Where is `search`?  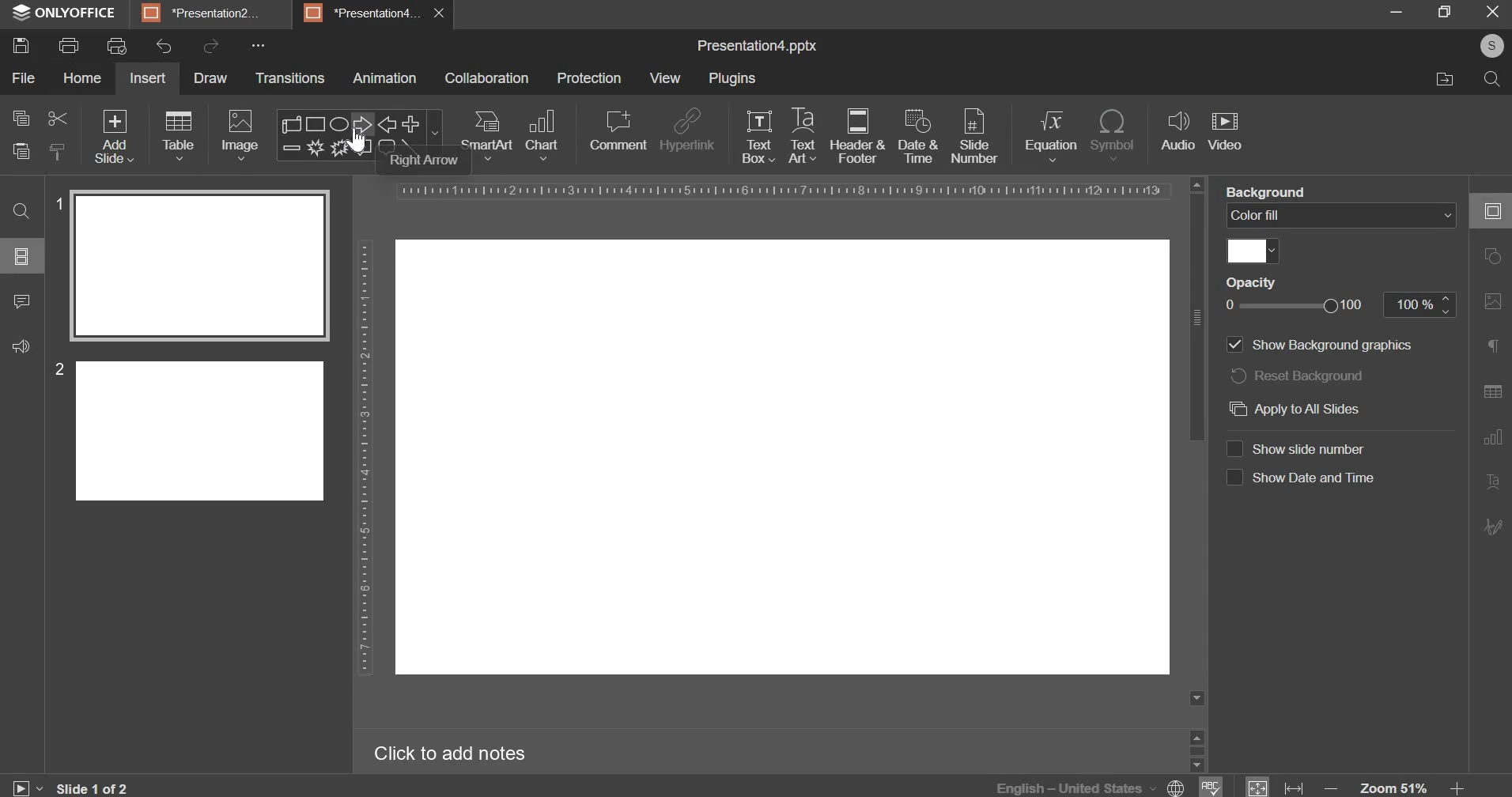 search is located at coordinates (17, 209).